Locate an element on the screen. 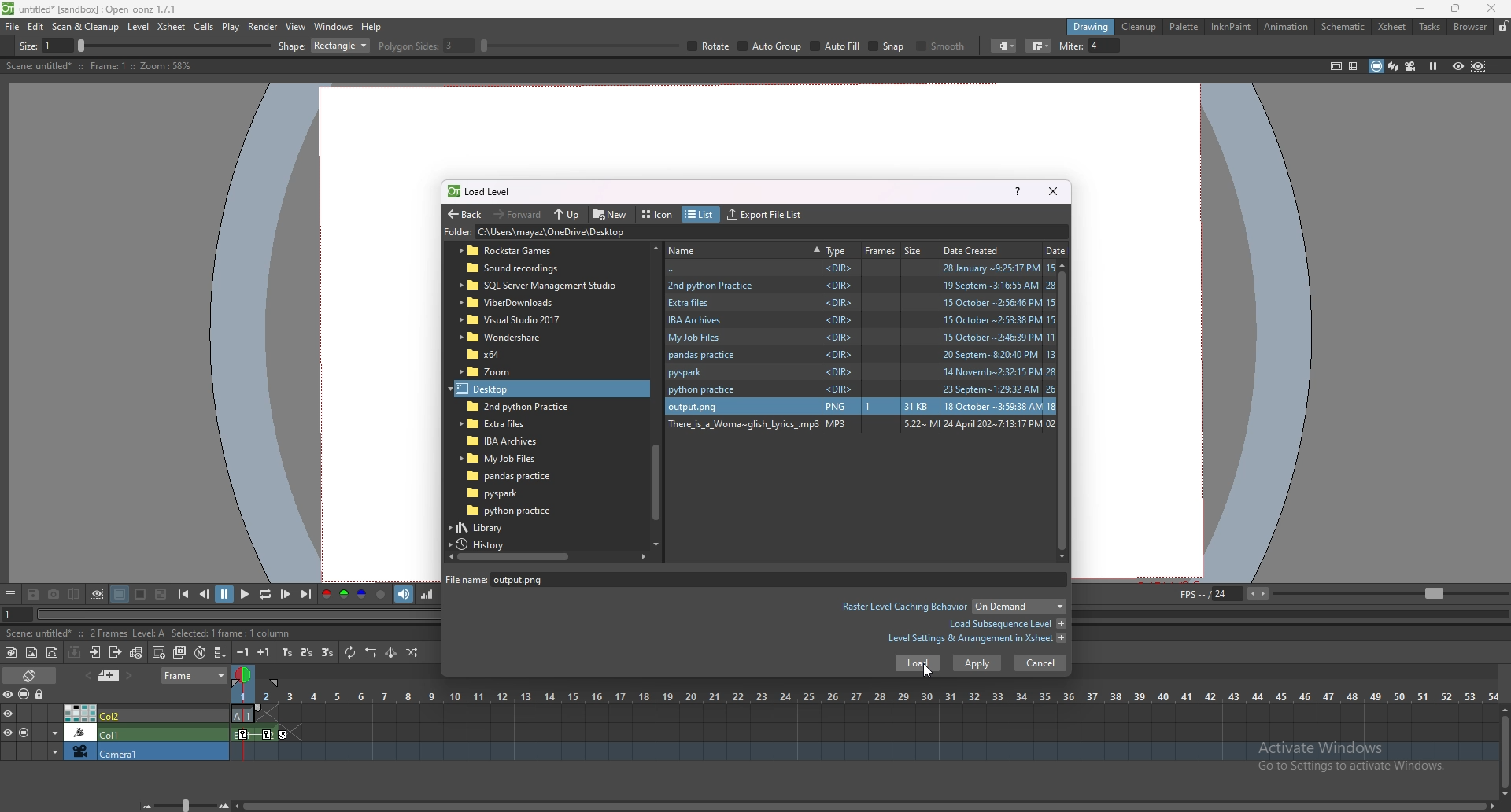 This screenshot has width=1511, height=812. collapse is located at coordinates (74, 651).